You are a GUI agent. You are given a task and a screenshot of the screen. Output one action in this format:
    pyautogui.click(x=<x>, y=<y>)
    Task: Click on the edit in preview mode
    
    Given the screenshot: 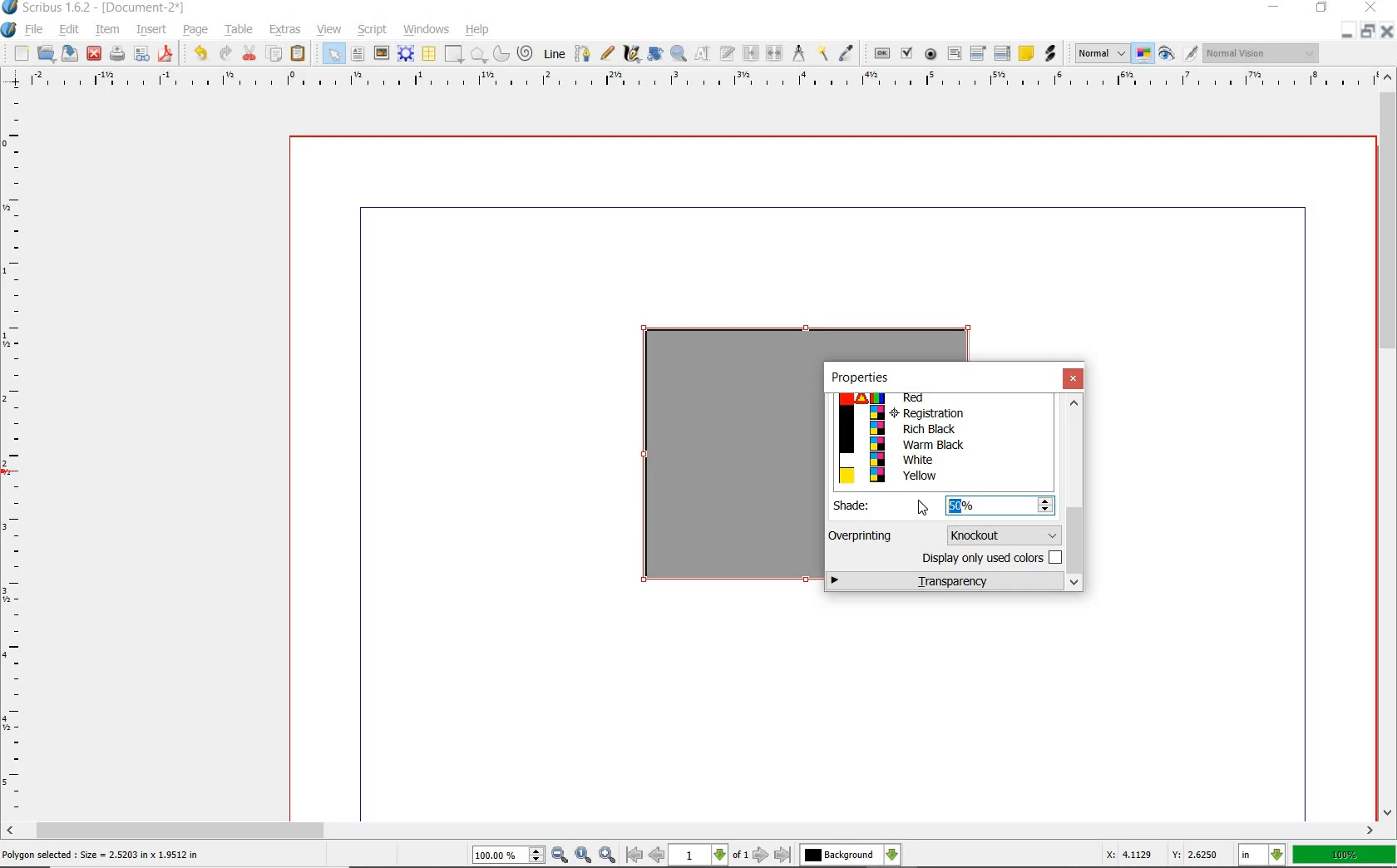 What is the action you would take?
    pyautogui.click(x=1190, y=53)
    